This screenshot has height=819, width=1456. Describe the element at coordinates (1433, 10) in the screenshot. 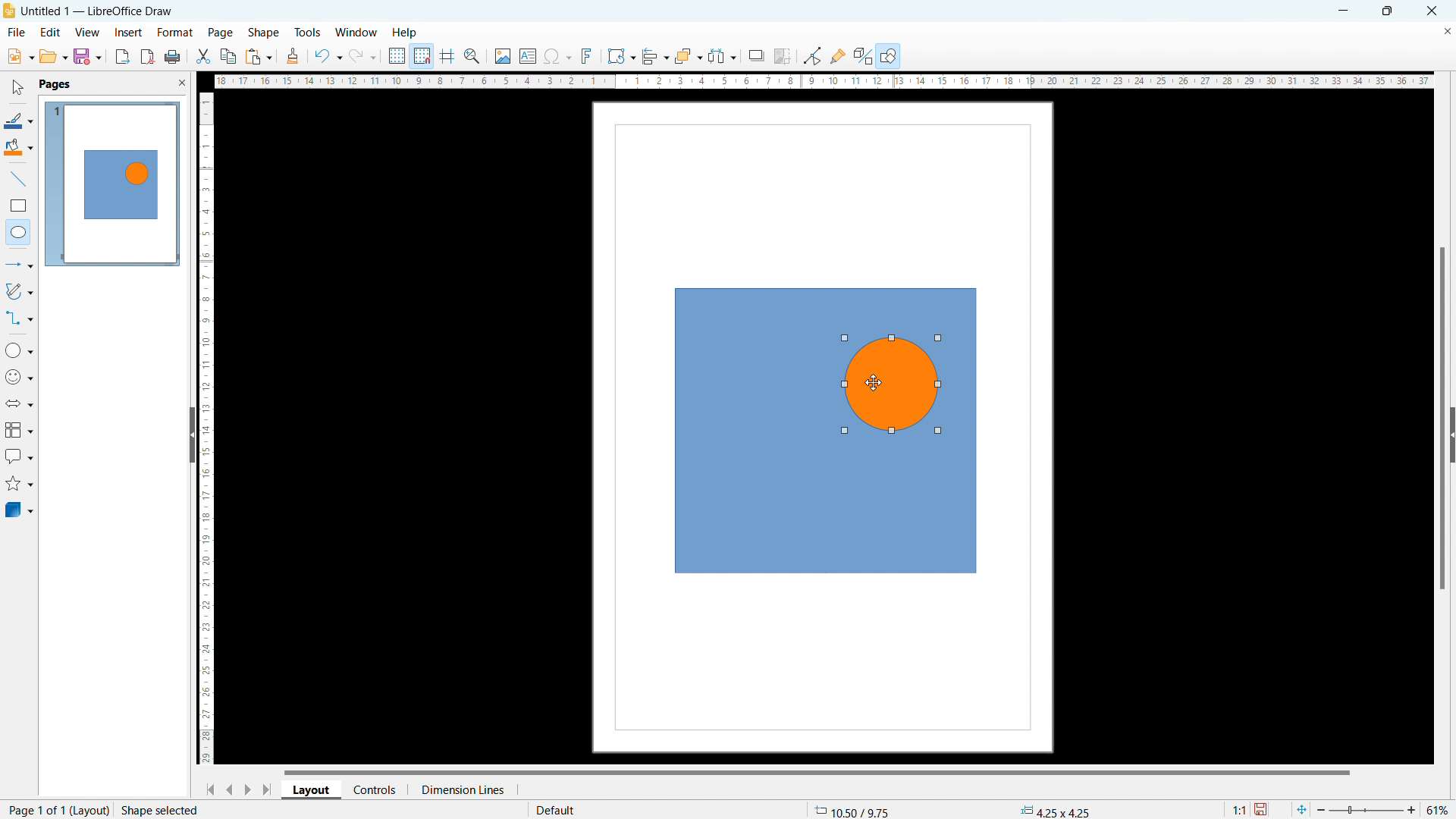

I see `close` at that location.